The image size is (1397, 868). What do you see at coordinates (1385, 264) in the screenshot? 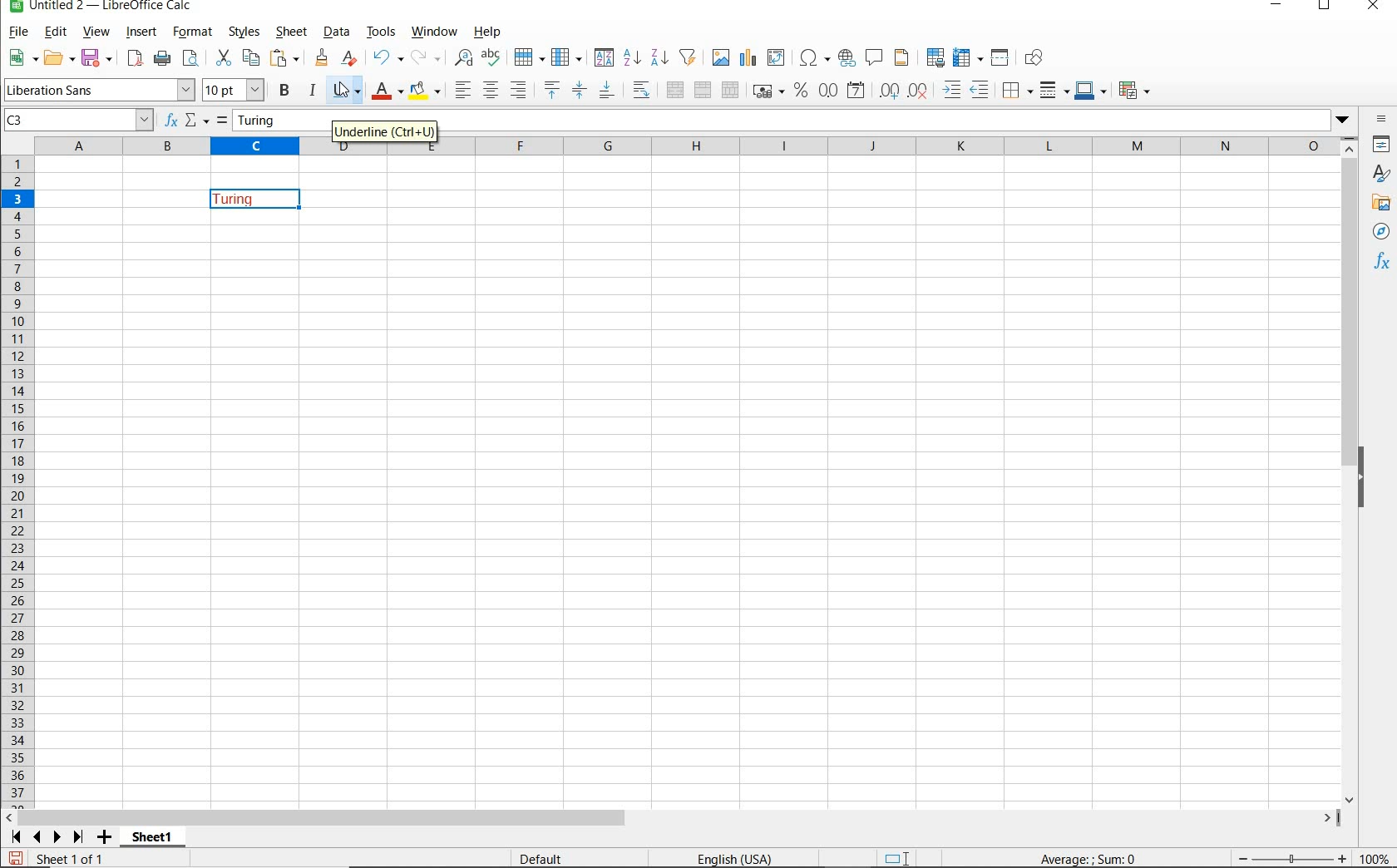
I see `FUNCTIONS` at bounding box center [1385, 264].